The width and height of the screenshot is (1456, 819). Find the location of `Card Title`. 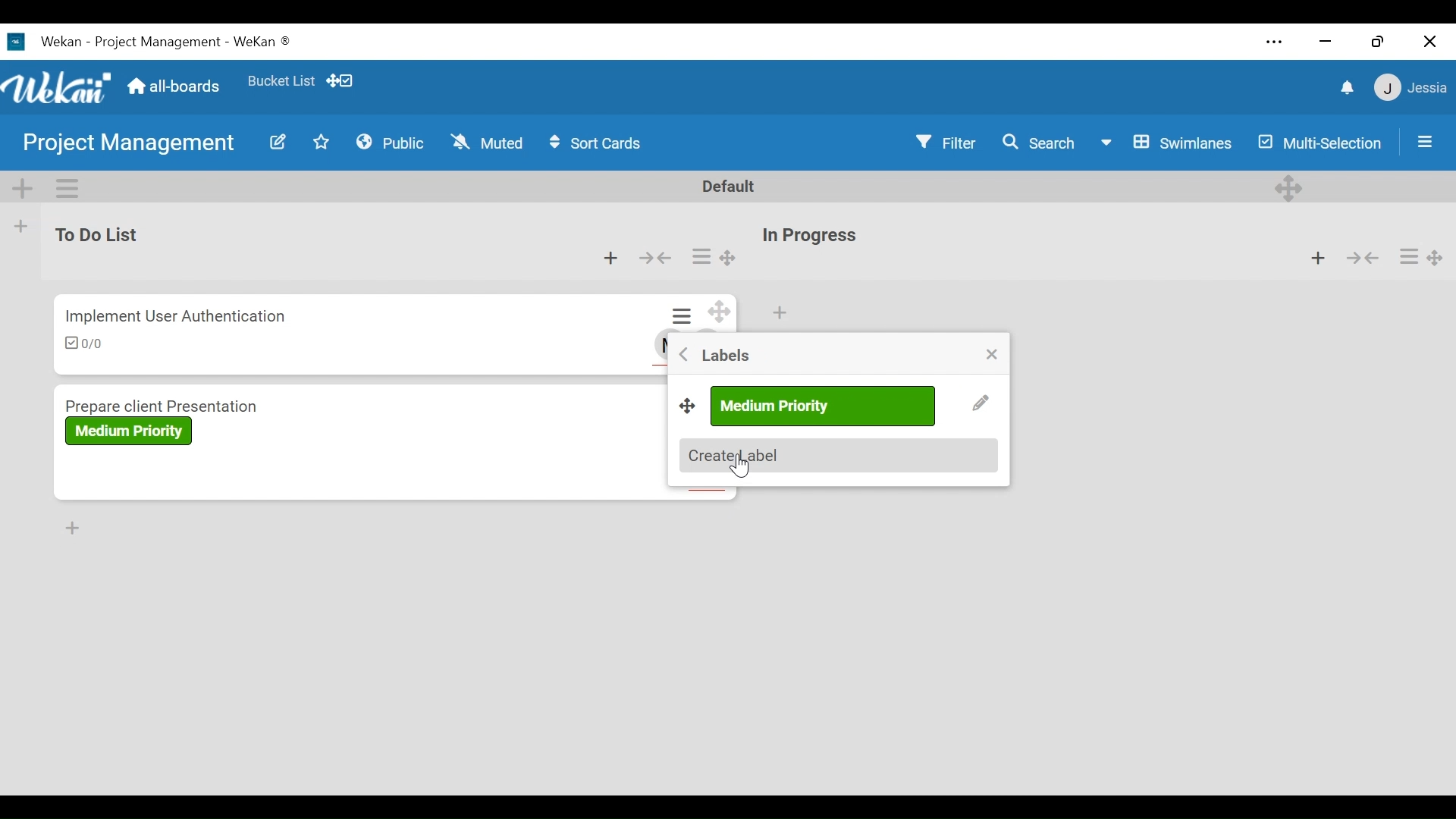

Card Title is located at coordinates (168, 403).